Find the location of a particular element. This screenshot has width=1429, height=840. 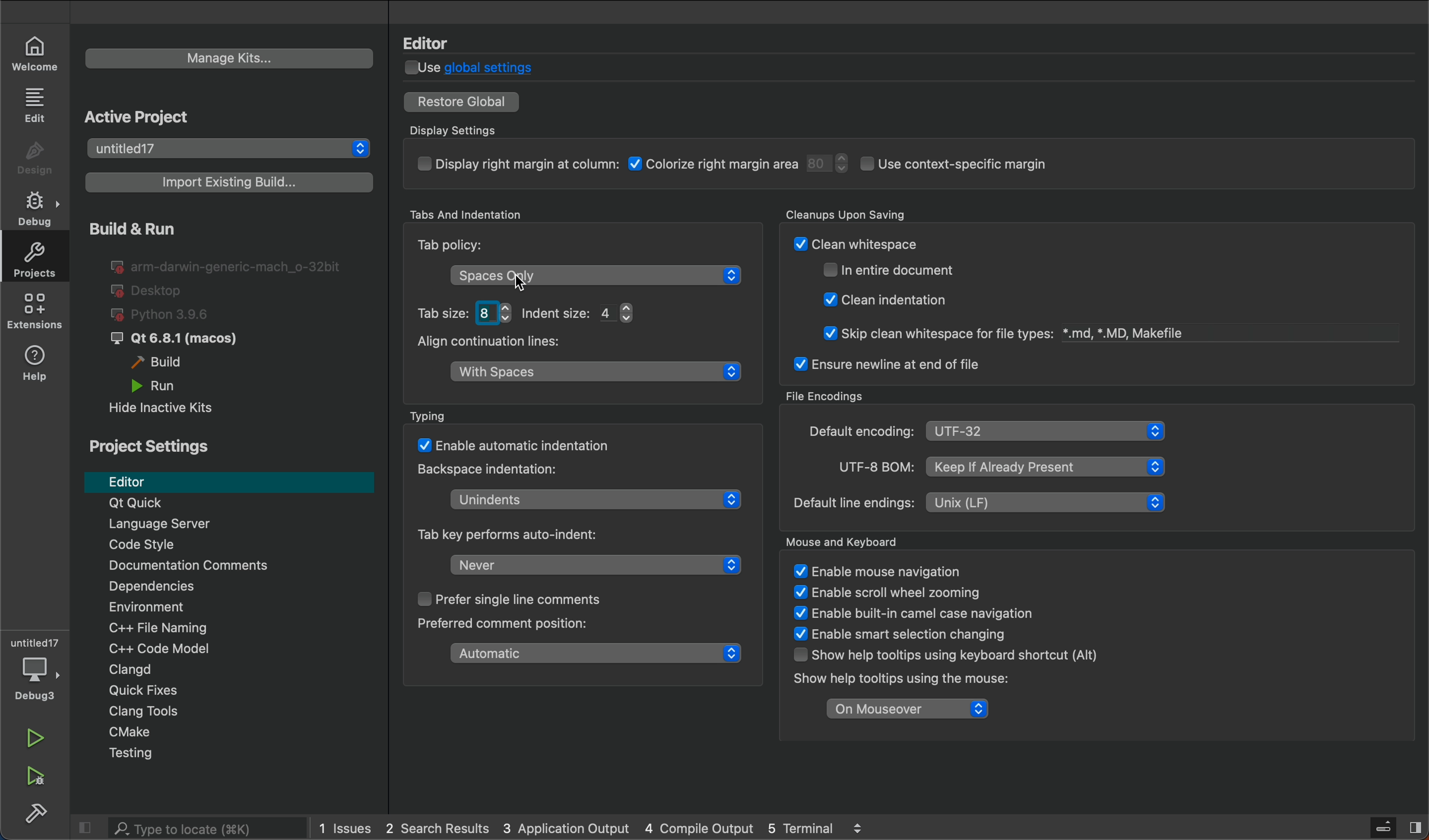

extensions is located at coordinates (39, 313).